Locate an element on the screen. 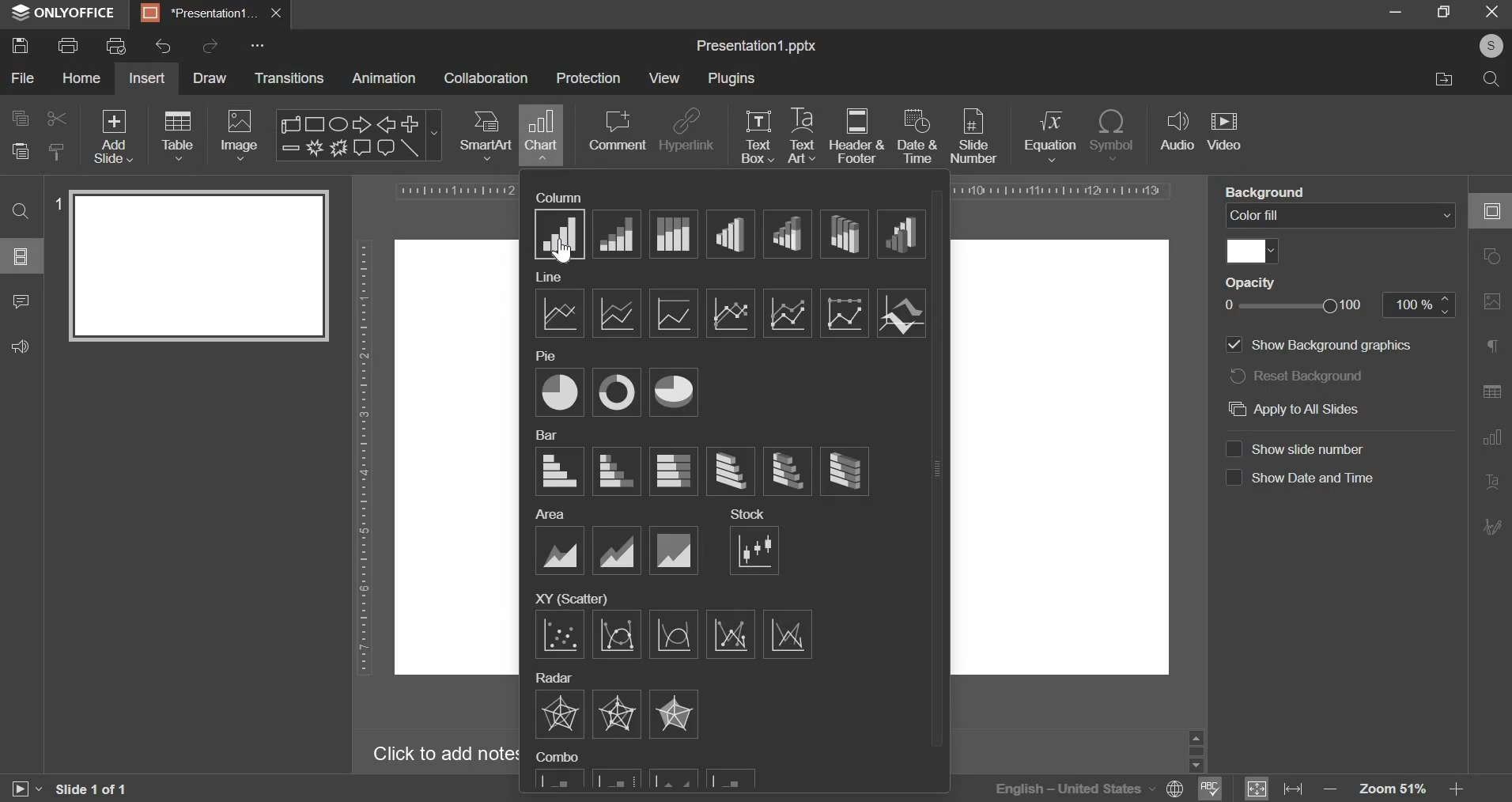  cut is located at coordinates (54, 119).